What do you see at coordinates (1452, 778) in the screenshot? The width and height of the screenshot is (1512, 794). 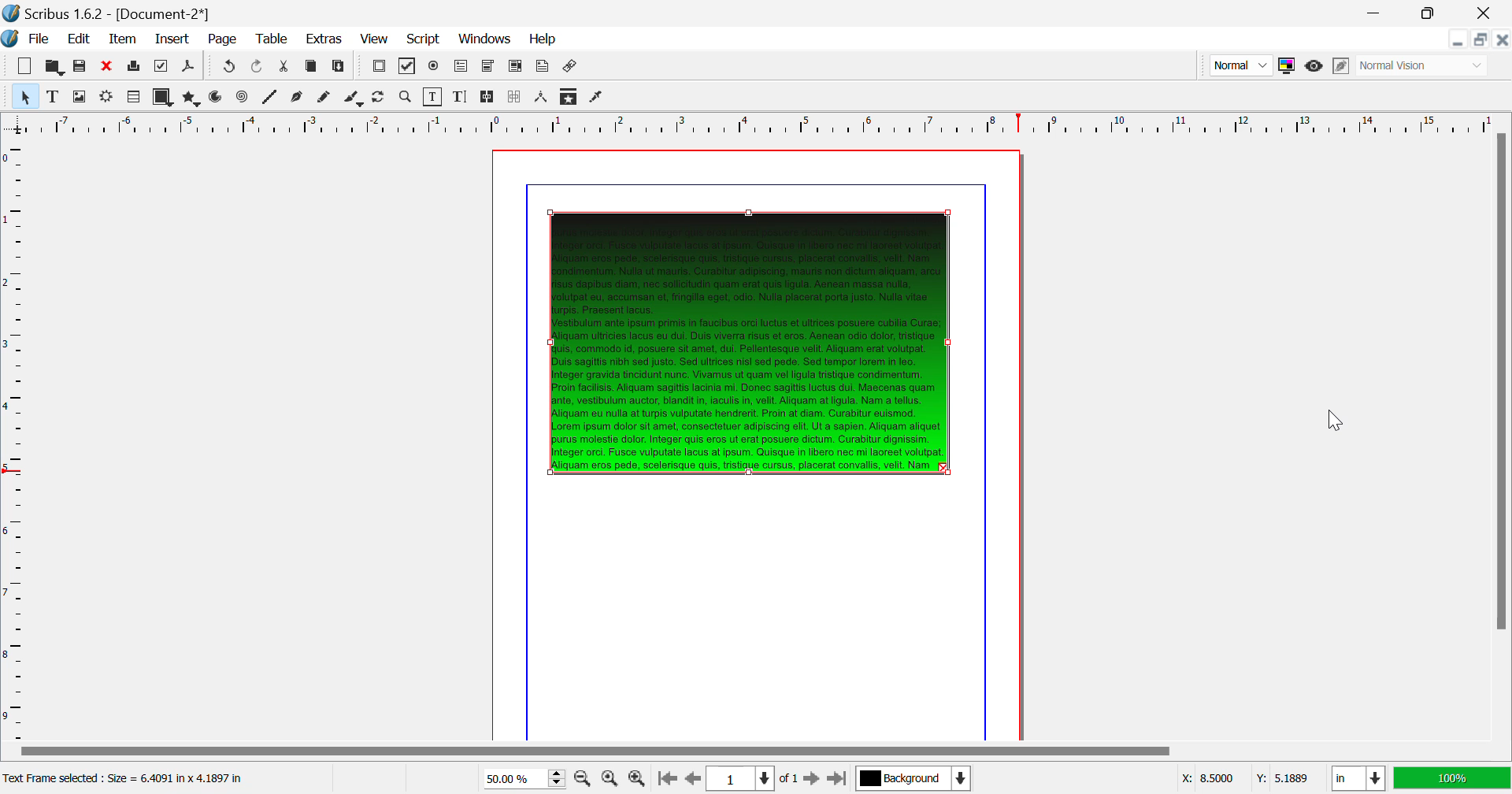 I see `Display Appearance` at bounding box center [1452, 778].